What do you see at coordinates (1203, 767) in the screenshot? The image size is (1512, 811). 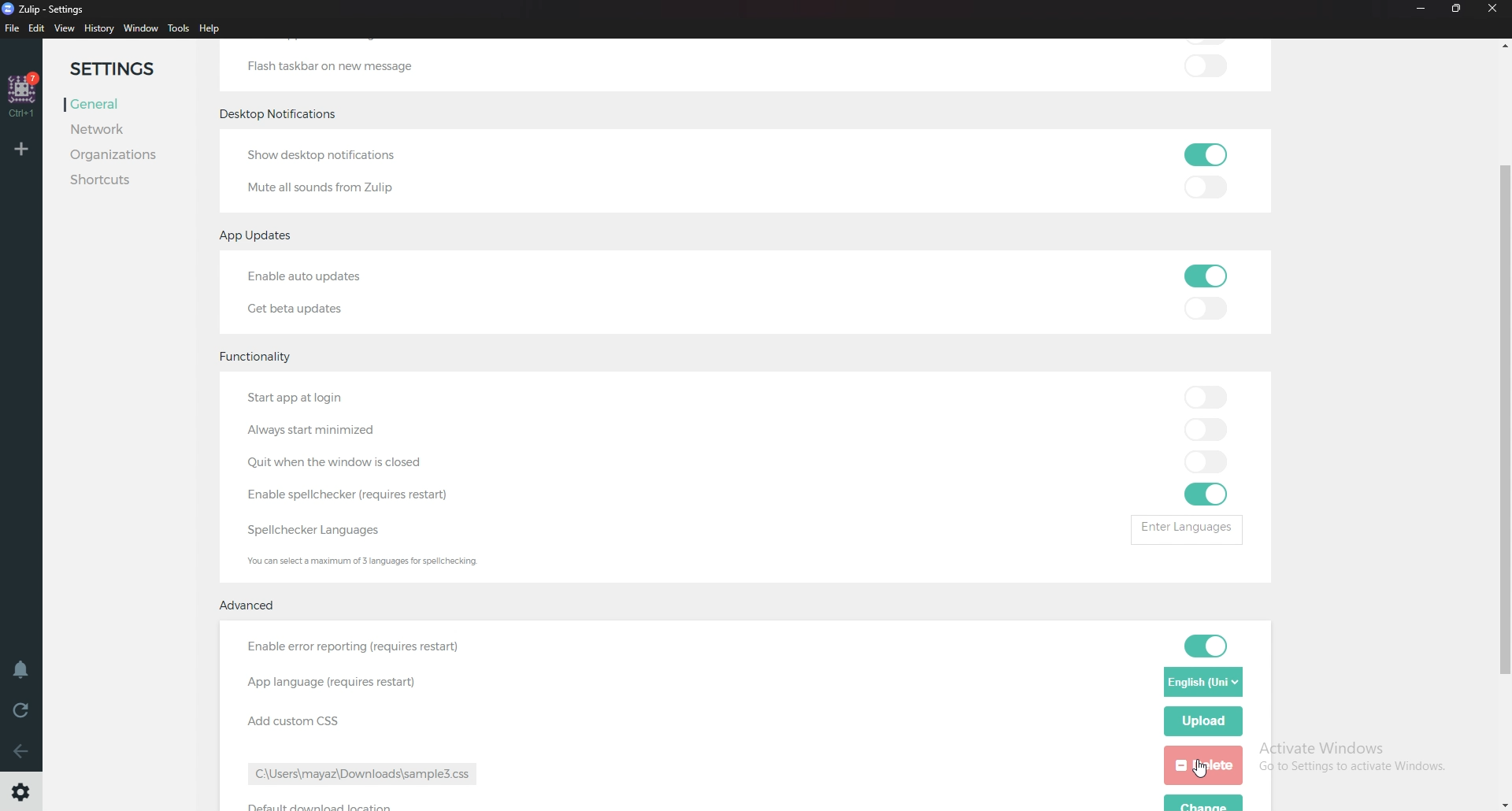 I see `Cursor` at bounding box center [1203, 767].